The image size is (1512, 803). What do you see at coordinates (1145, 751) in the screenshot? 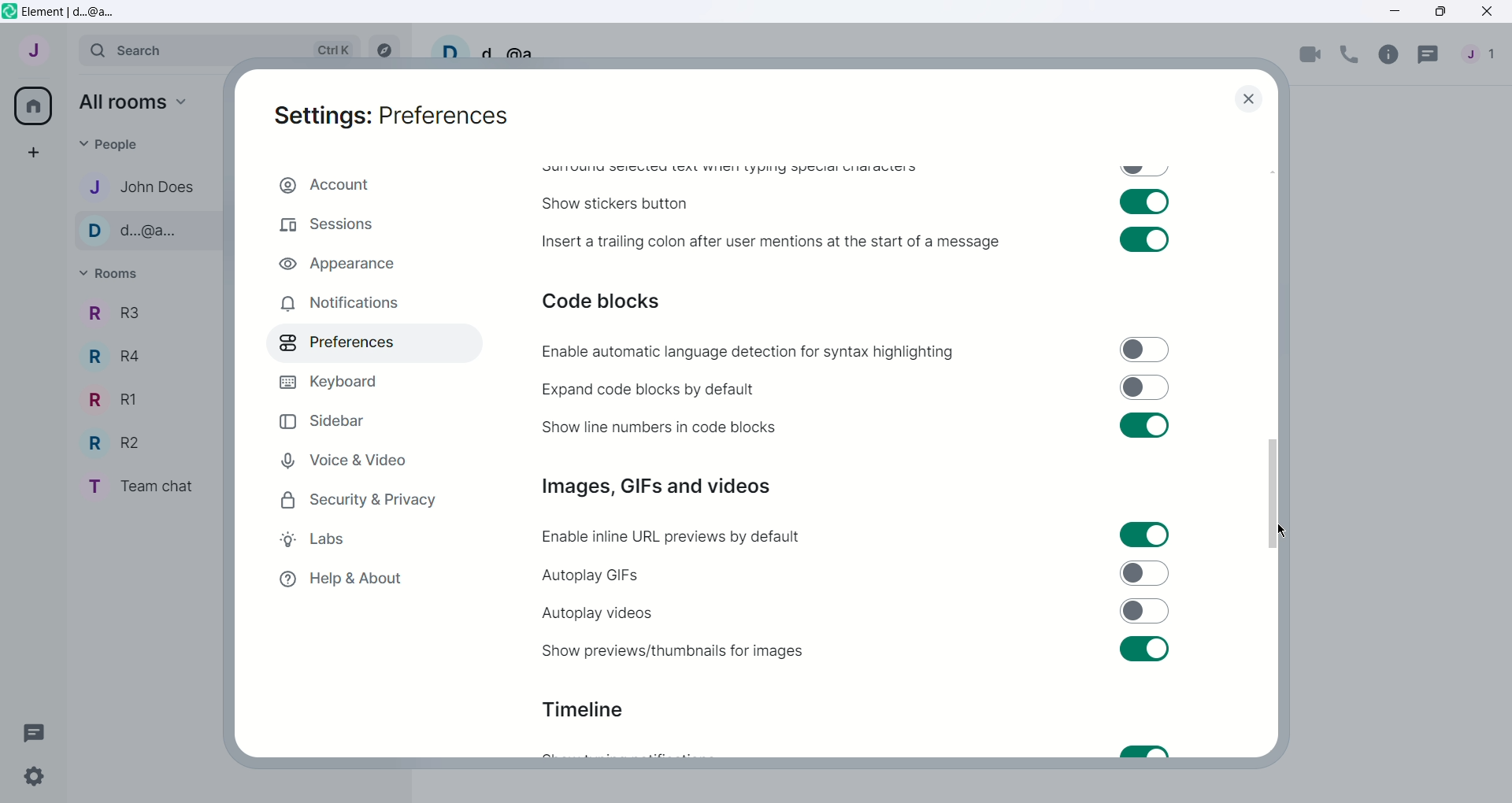
I see `Toggle switch on` at bounding box center [1145, 751].